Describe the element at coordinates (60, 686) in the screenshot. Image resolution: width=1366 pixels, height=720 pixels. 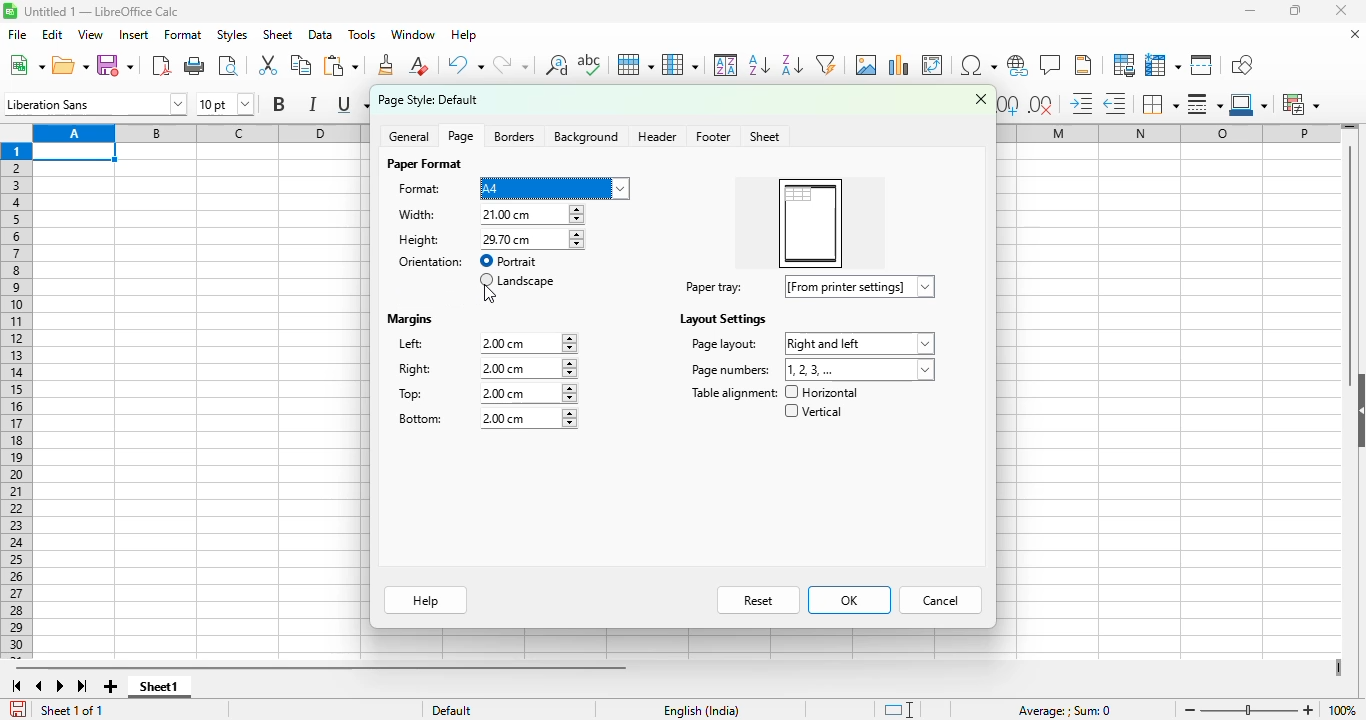
I see `scroll to next sheet` at that location.